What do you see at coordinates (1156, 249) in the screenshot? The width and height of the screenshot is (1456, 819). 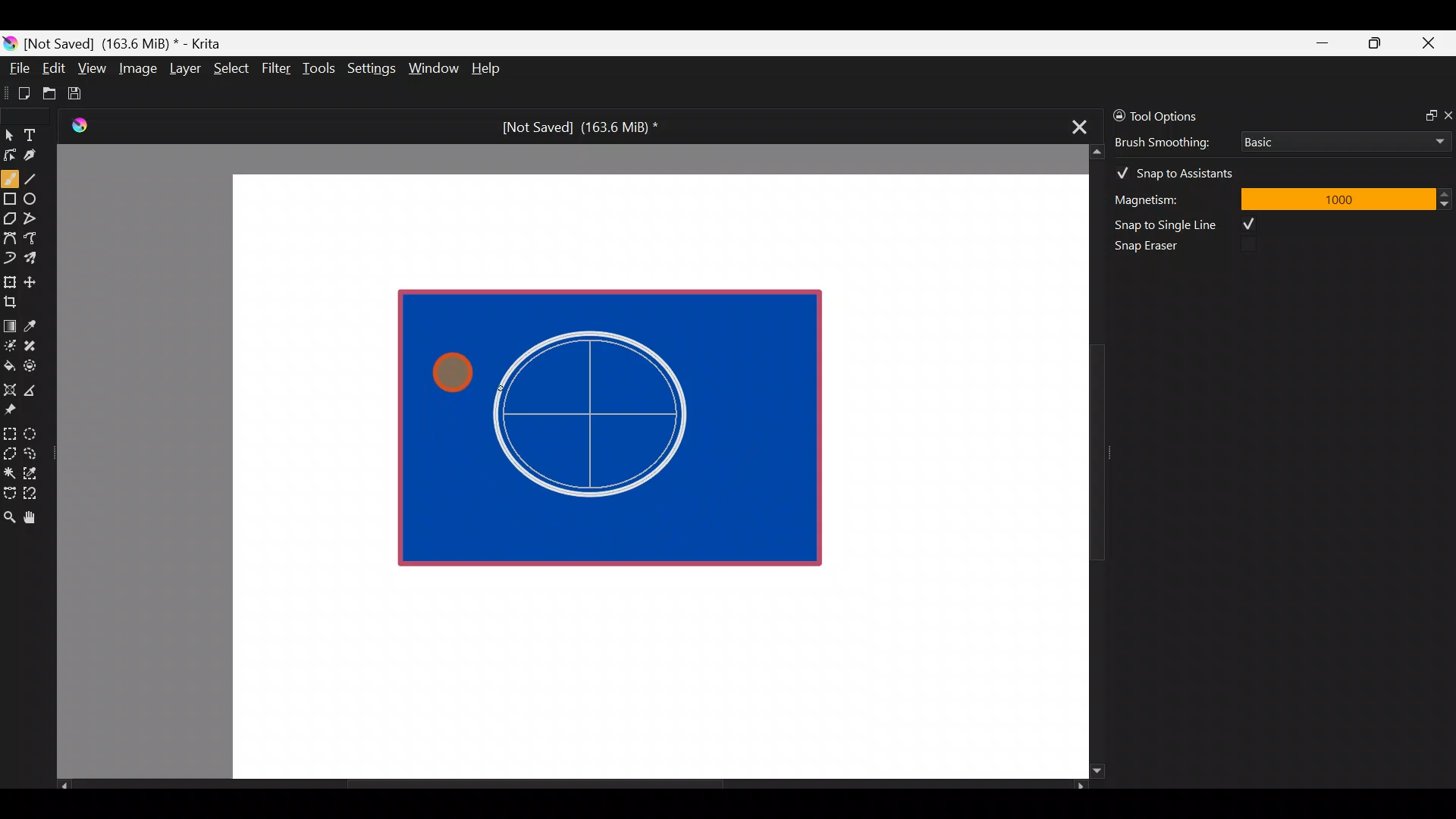 I see `Snap eraser` at bounding box center [1156, 249].